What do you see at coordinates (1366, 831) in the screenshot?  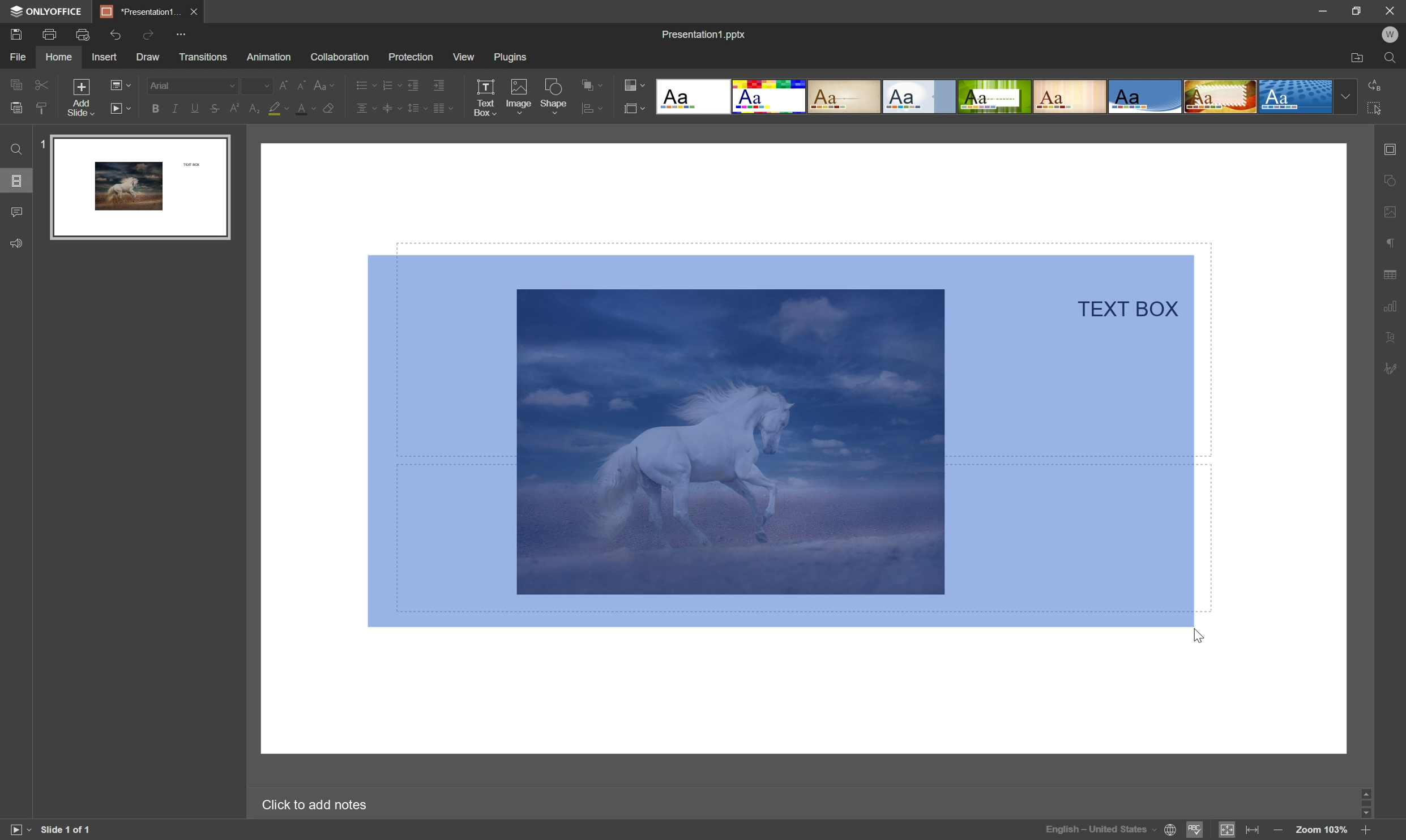 I see `zoom in` at bounding box center [1366, 831].